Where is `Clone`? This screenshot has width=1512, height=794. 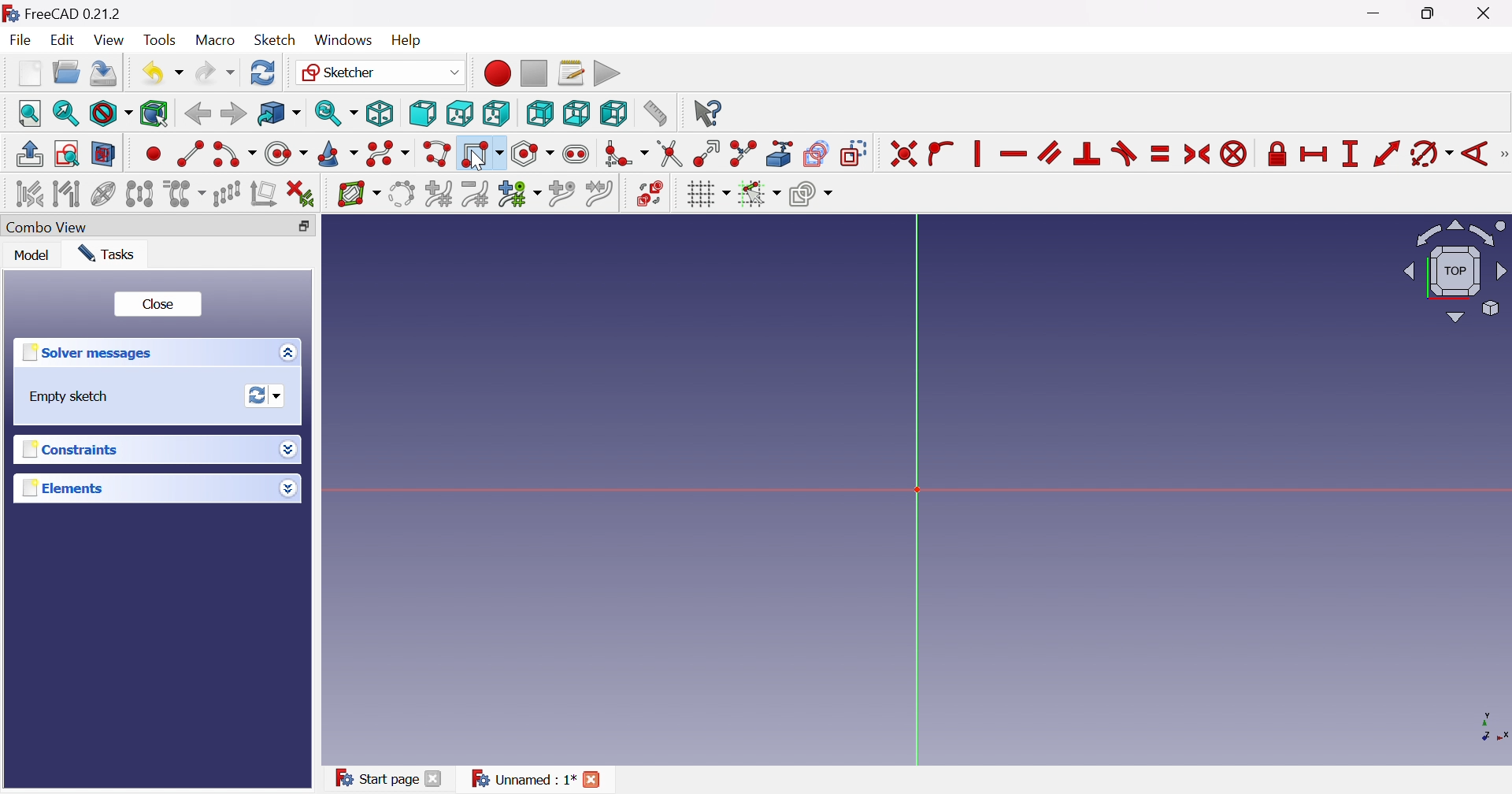
Clone is located at coordinates (183, 193).